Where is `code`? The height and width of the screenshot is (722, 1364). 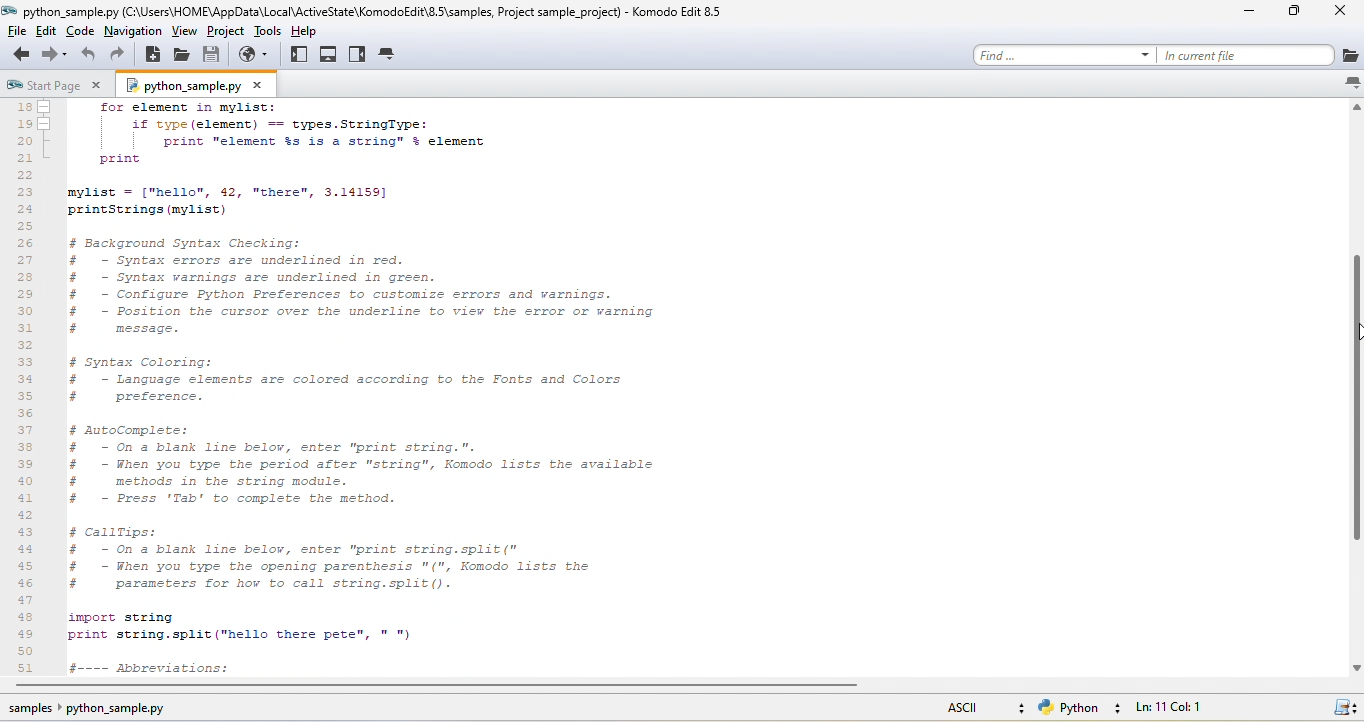
code is located at coordinates (82, 31).